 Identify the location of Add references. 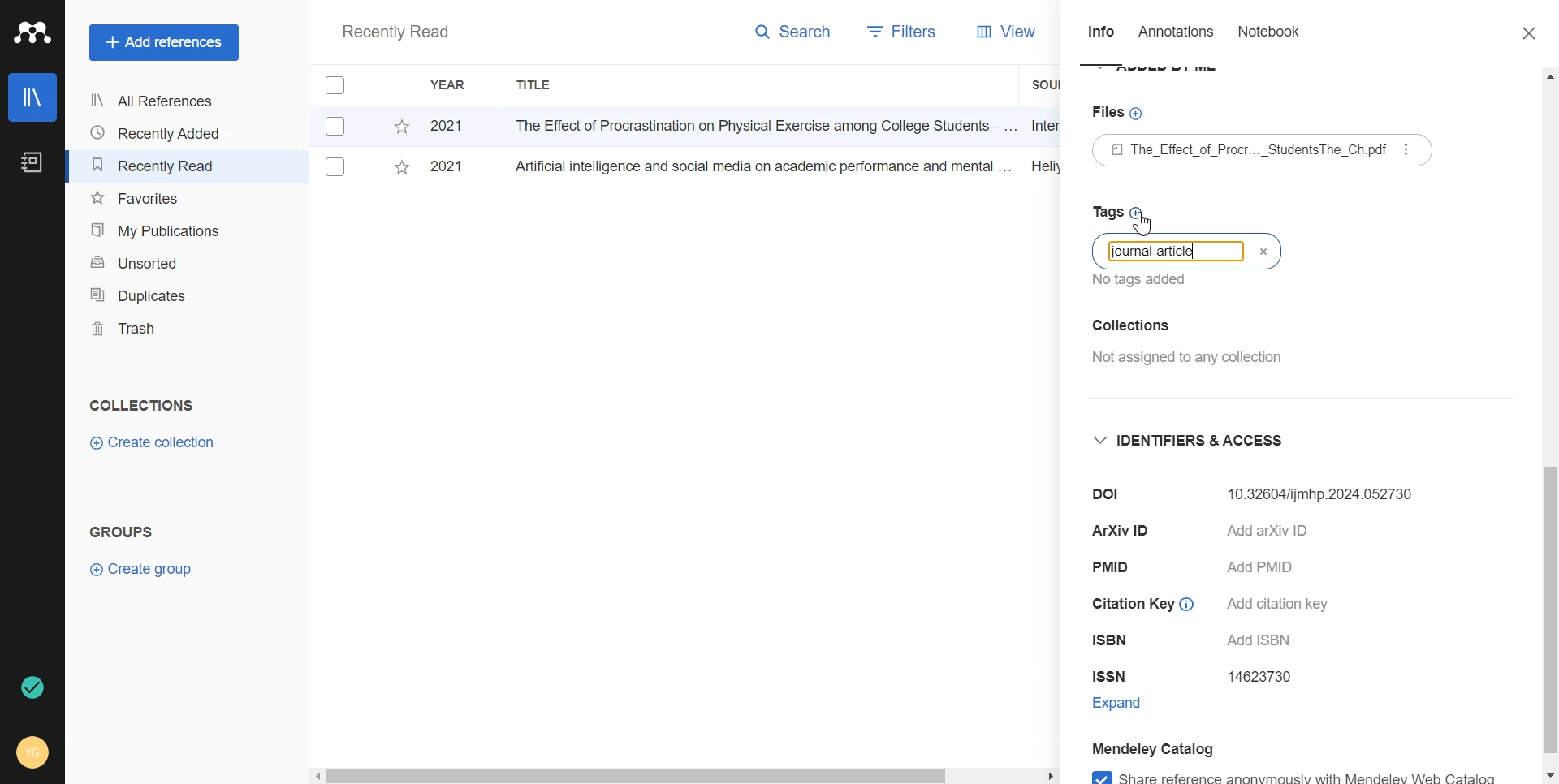
(164, 43).